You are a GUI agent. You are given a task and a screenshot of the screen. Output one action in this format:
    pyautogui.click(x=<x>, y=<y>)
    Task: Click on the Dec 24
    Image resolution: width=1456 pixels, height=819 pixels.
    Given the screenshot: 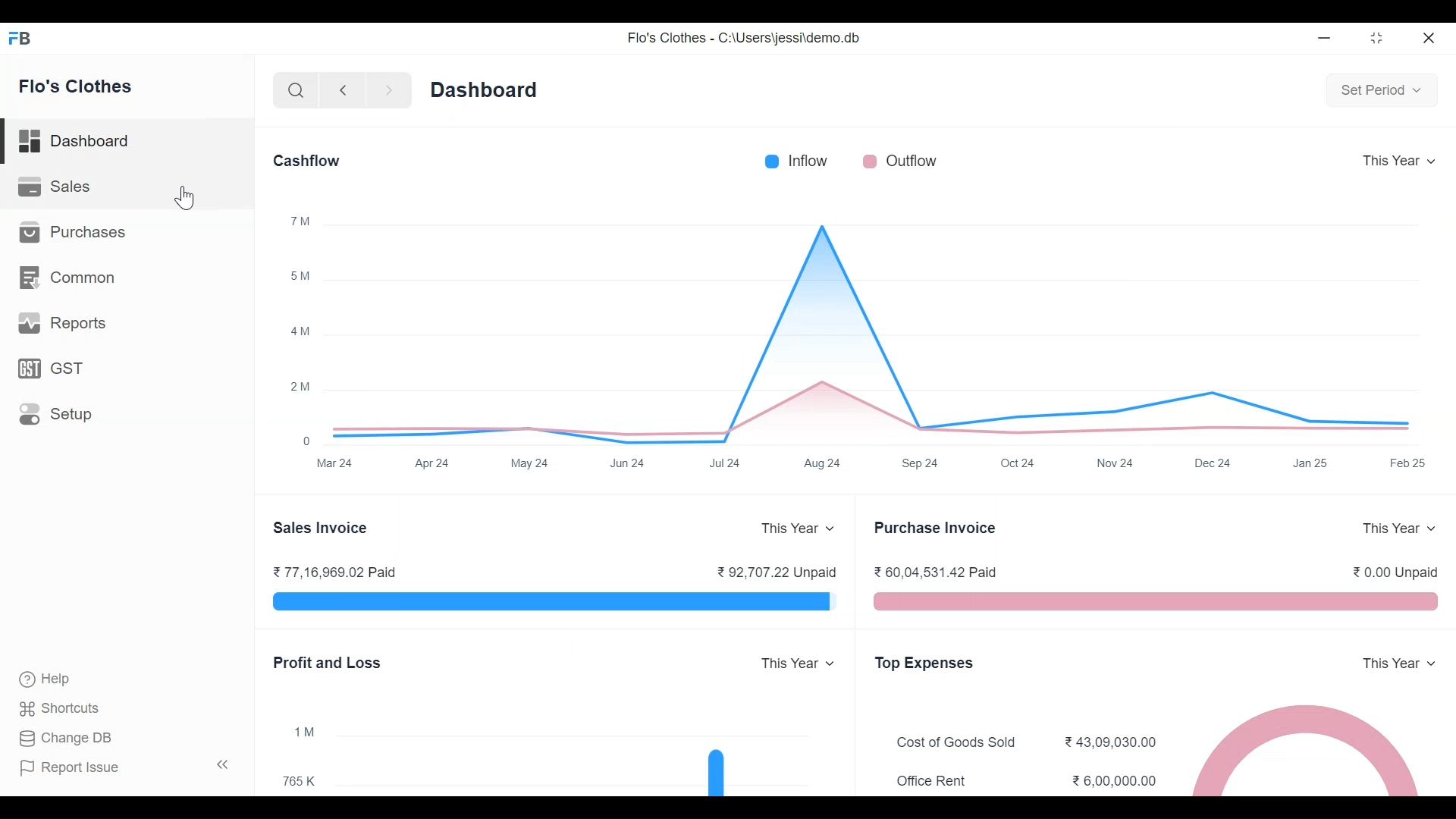 What is the action you would take?
    pyautogui.click(x=1212, y=462)
    